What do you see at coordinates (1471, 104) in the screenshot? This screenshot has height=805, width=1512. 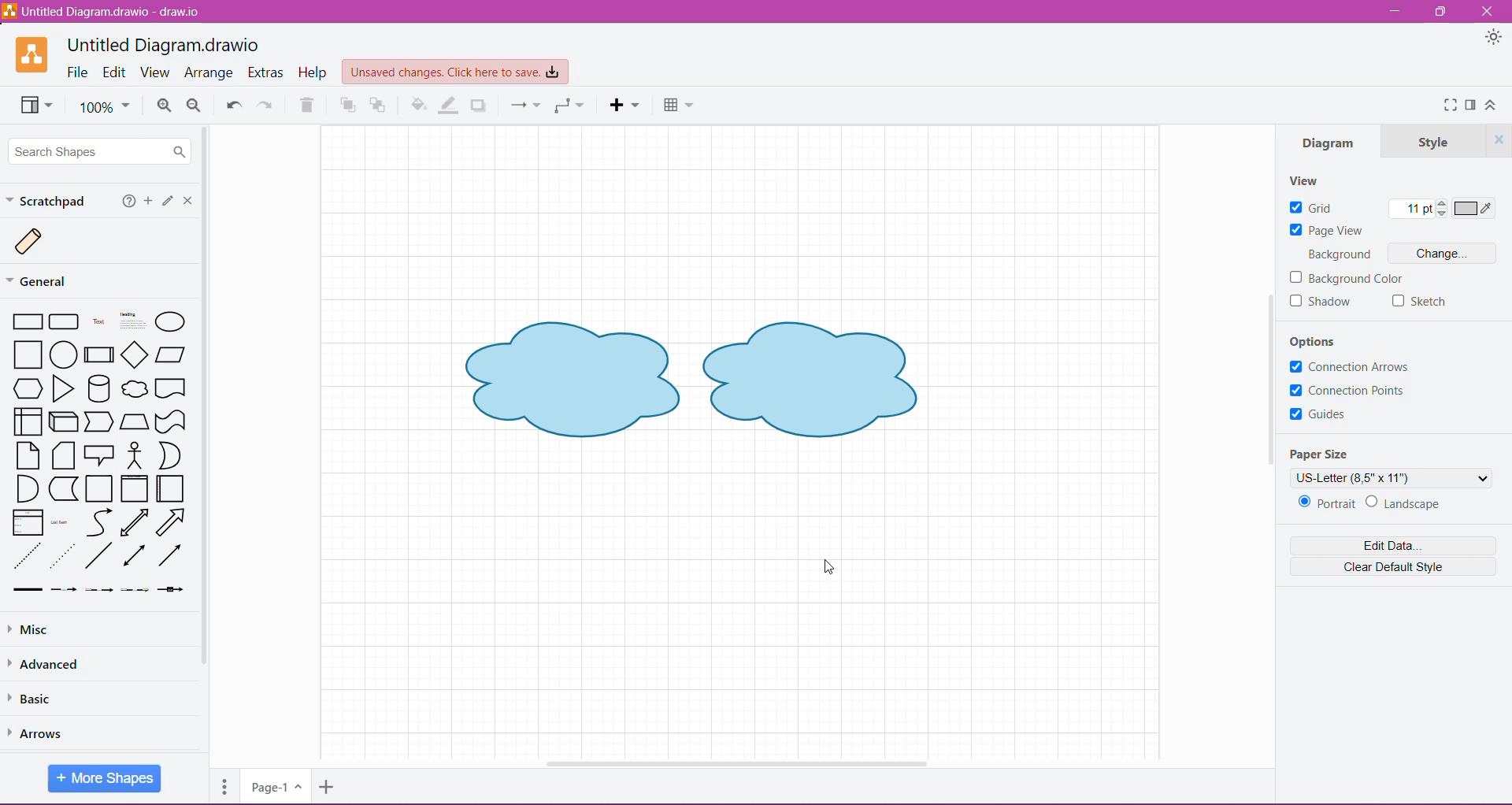 I see `Format` at bounding box center [1471, 104].